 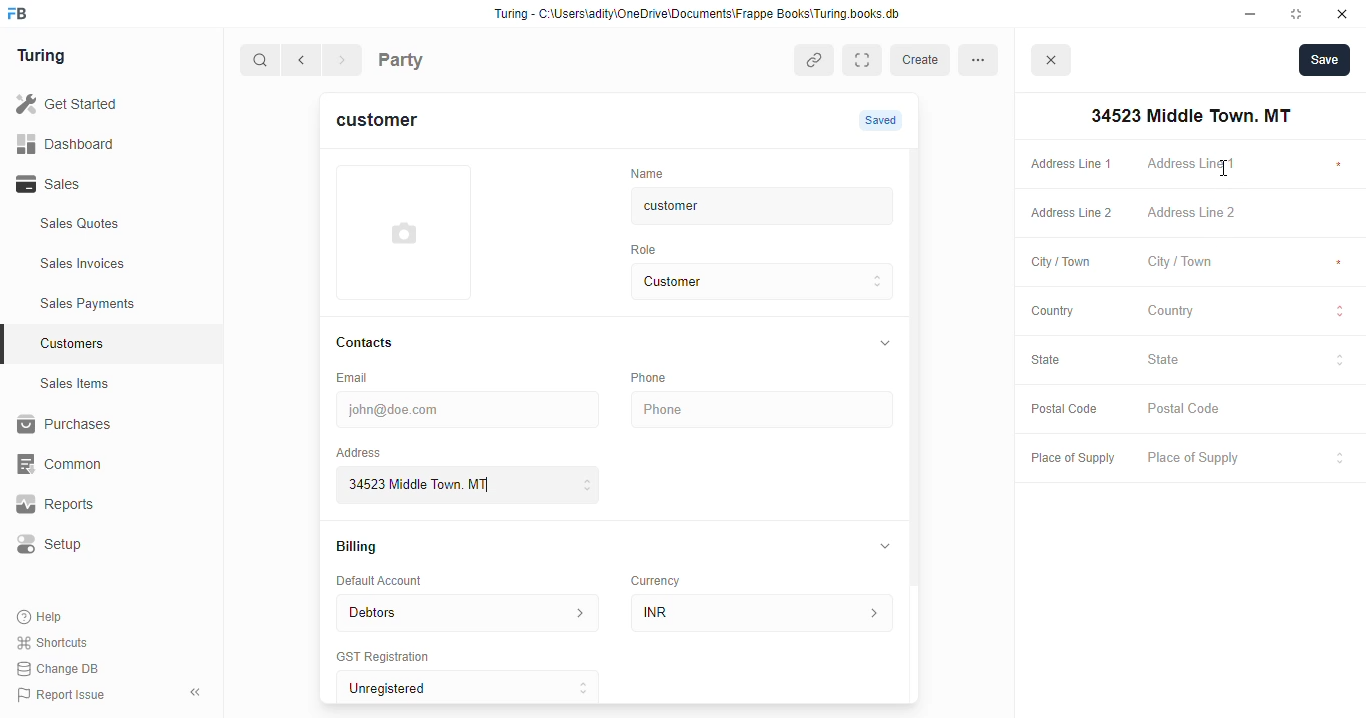 I want to click on minimise, so click(x=1251, y=14).